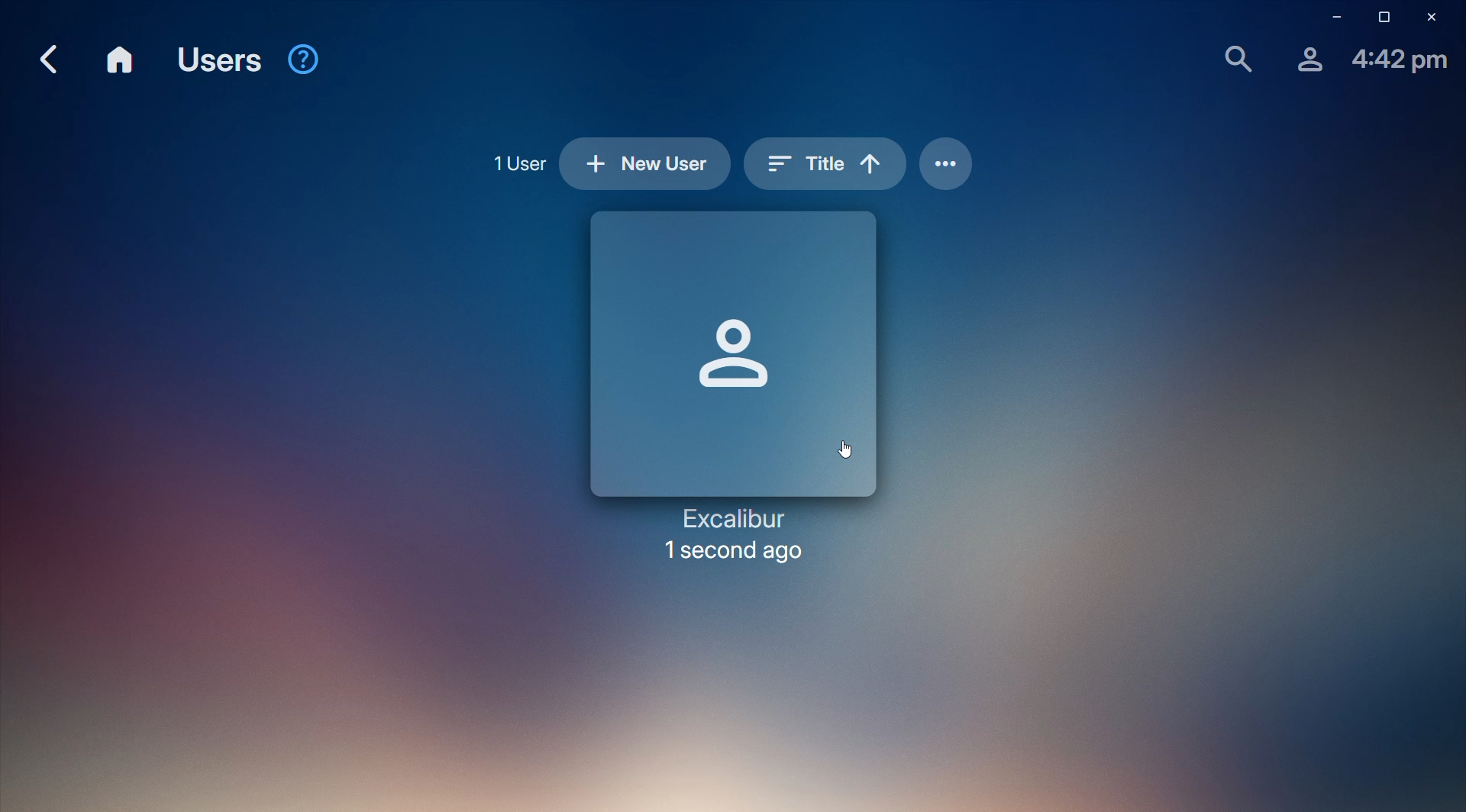  What do you see at coordinates (741, 390) in the screenshot?
I see `Excalibur` at bounding box center [741, 390].